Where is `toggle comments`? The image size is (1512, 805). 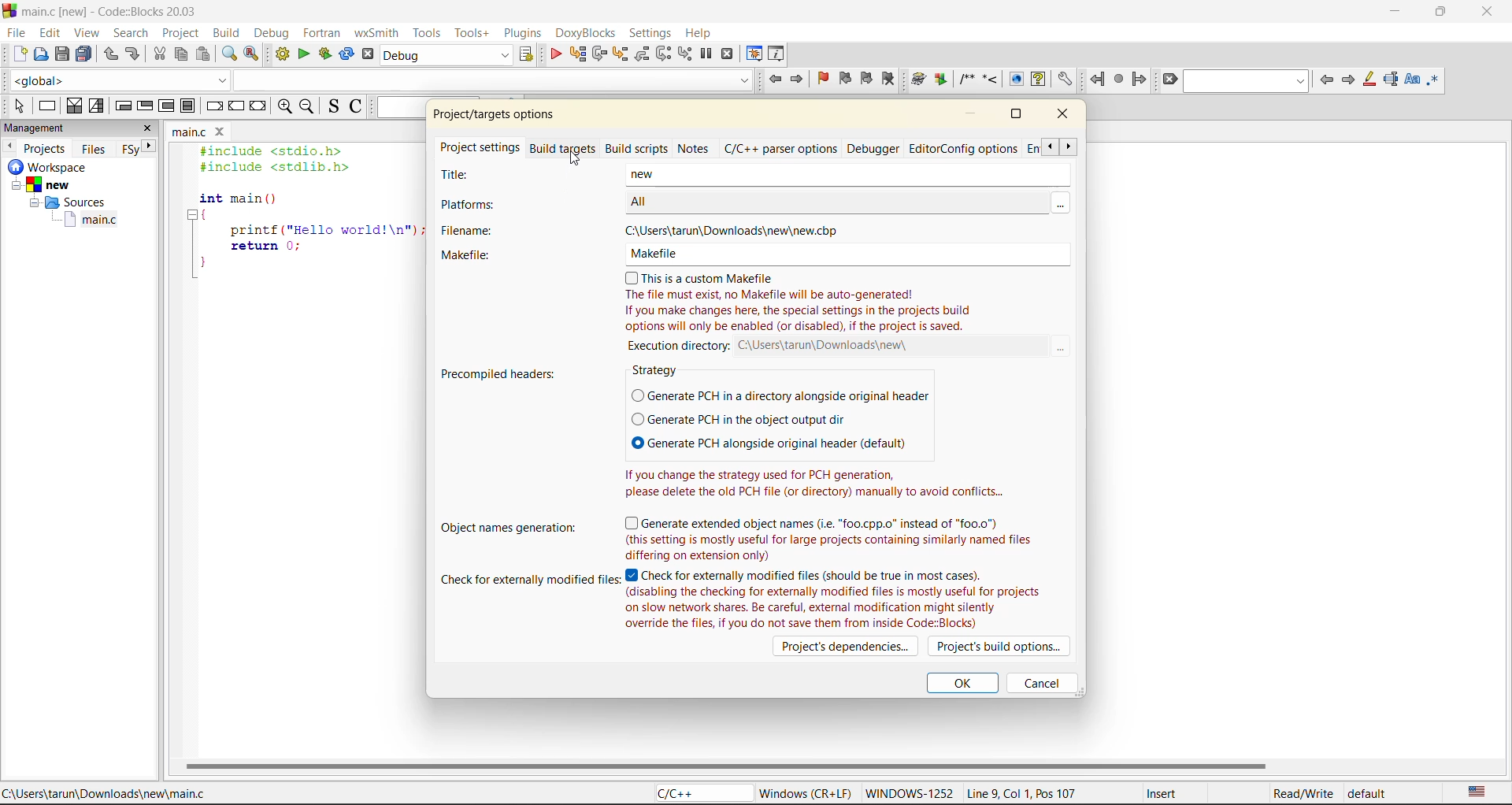
toggle comments is located at coordinates (355, 108).